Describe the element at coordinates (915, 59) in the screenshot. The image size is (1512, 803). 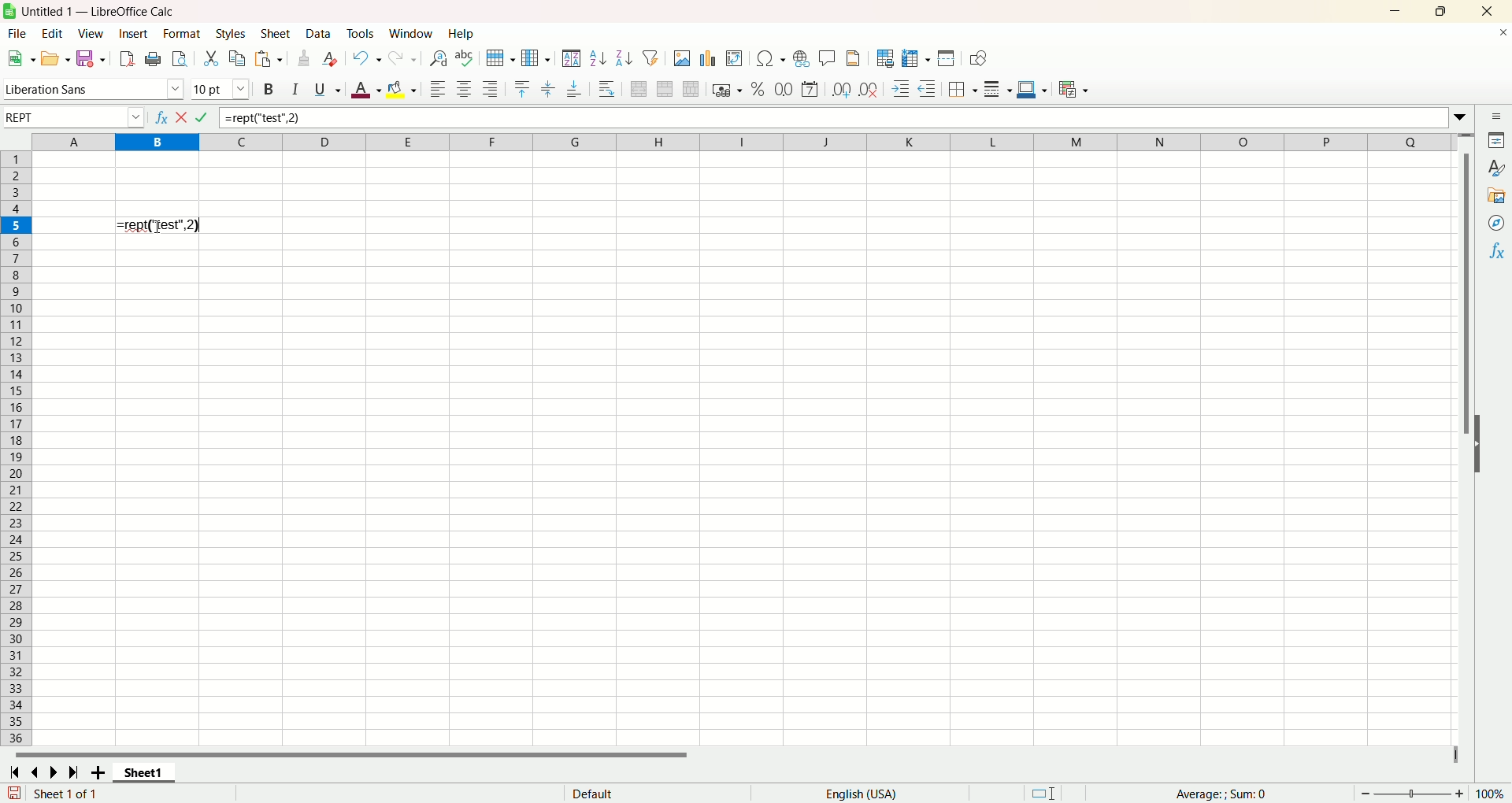
I see `freeze rows and column` at that location.